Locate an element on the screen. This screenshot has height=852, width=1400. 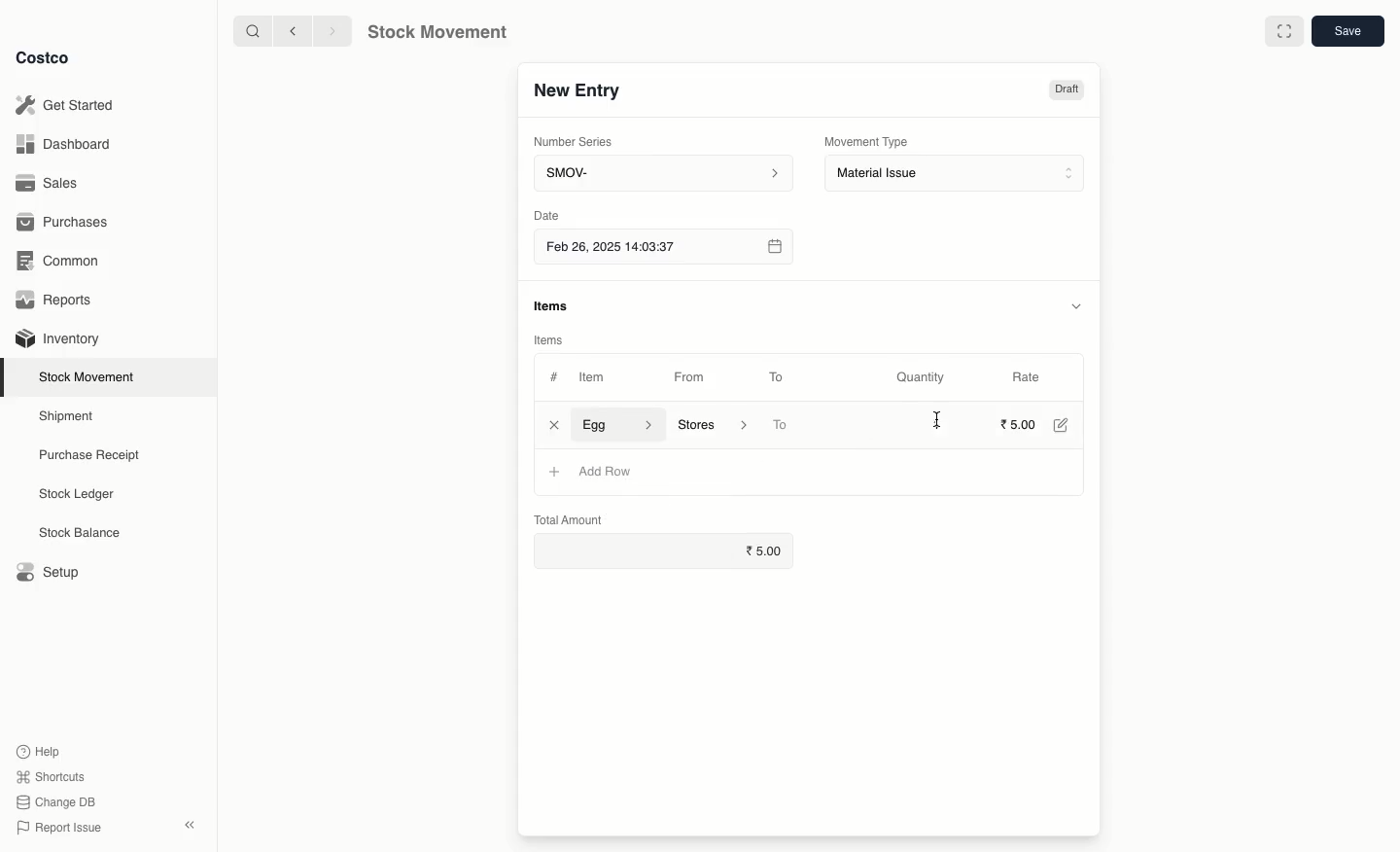
1 is located at coordinates (931, 421).